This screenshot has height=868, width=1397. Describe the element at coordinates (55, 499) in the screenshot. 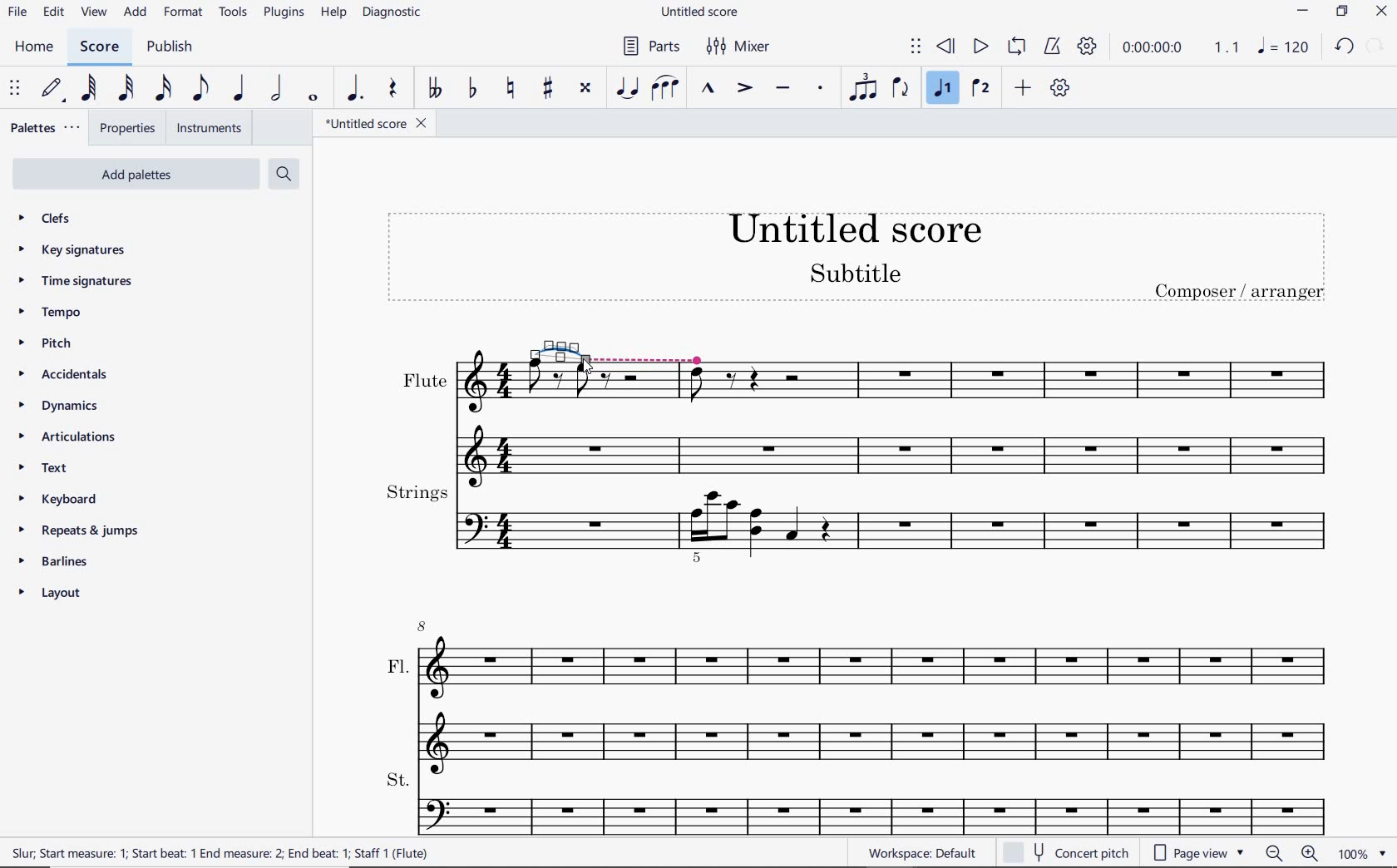

I see `keyboard` at that location.